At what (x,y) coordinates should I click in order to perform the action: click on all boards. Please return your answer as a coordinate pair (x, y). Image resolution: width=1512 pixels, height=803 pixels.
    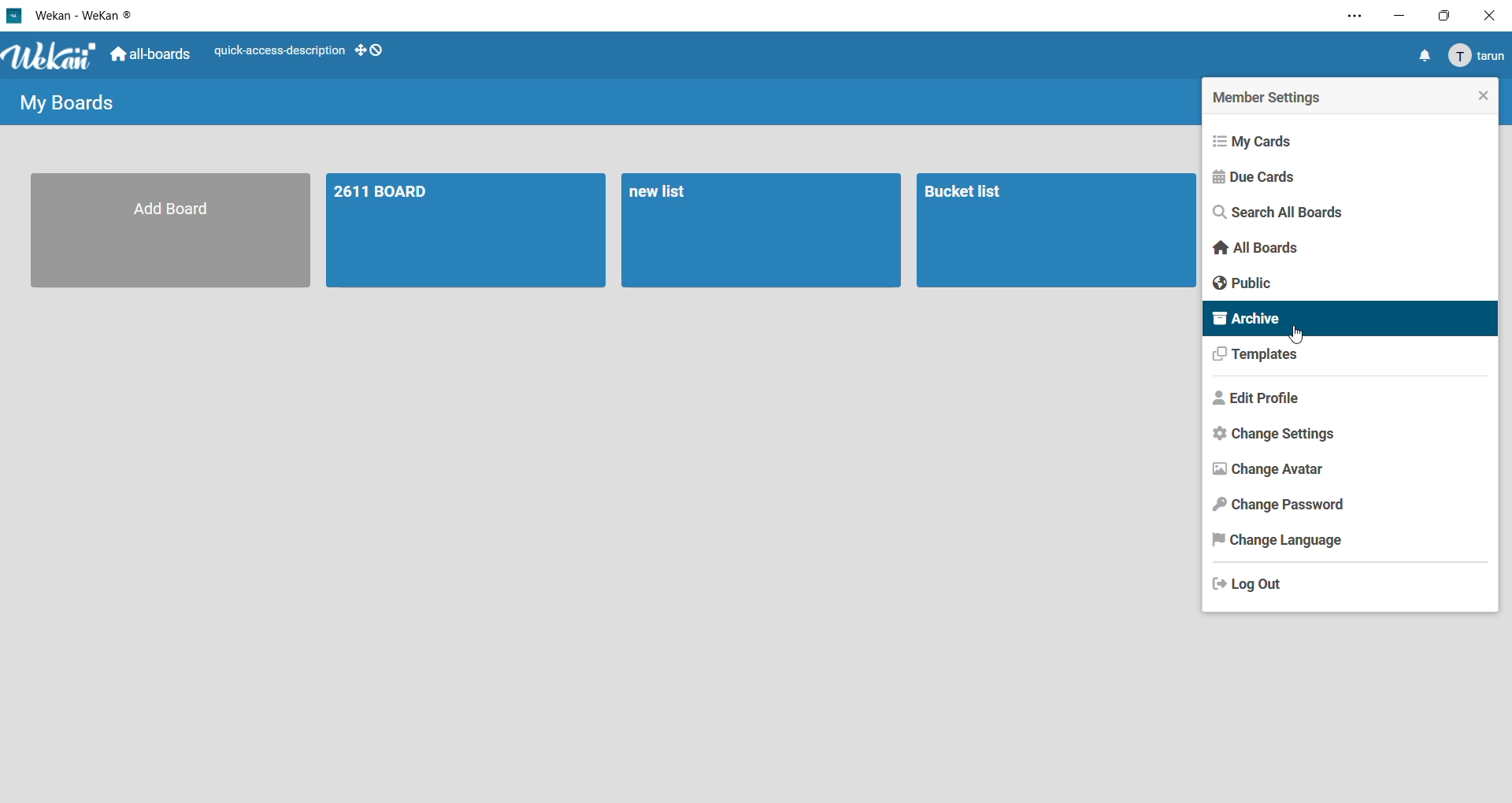
    Looking at the image, I should click on (1256, 250).